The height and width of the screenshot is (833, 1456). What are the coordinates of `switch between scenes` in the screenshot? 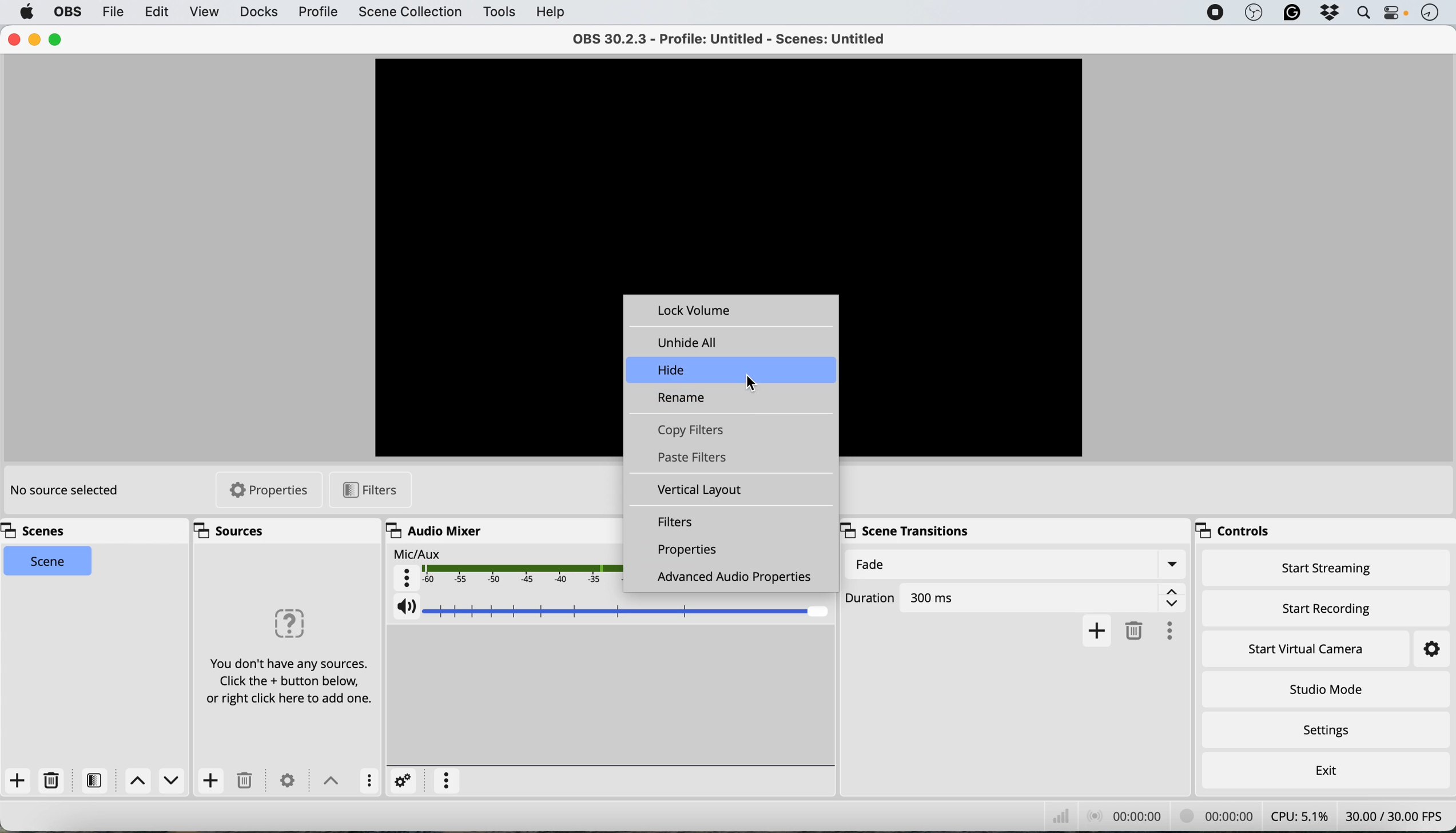 It's located at (158, 783).